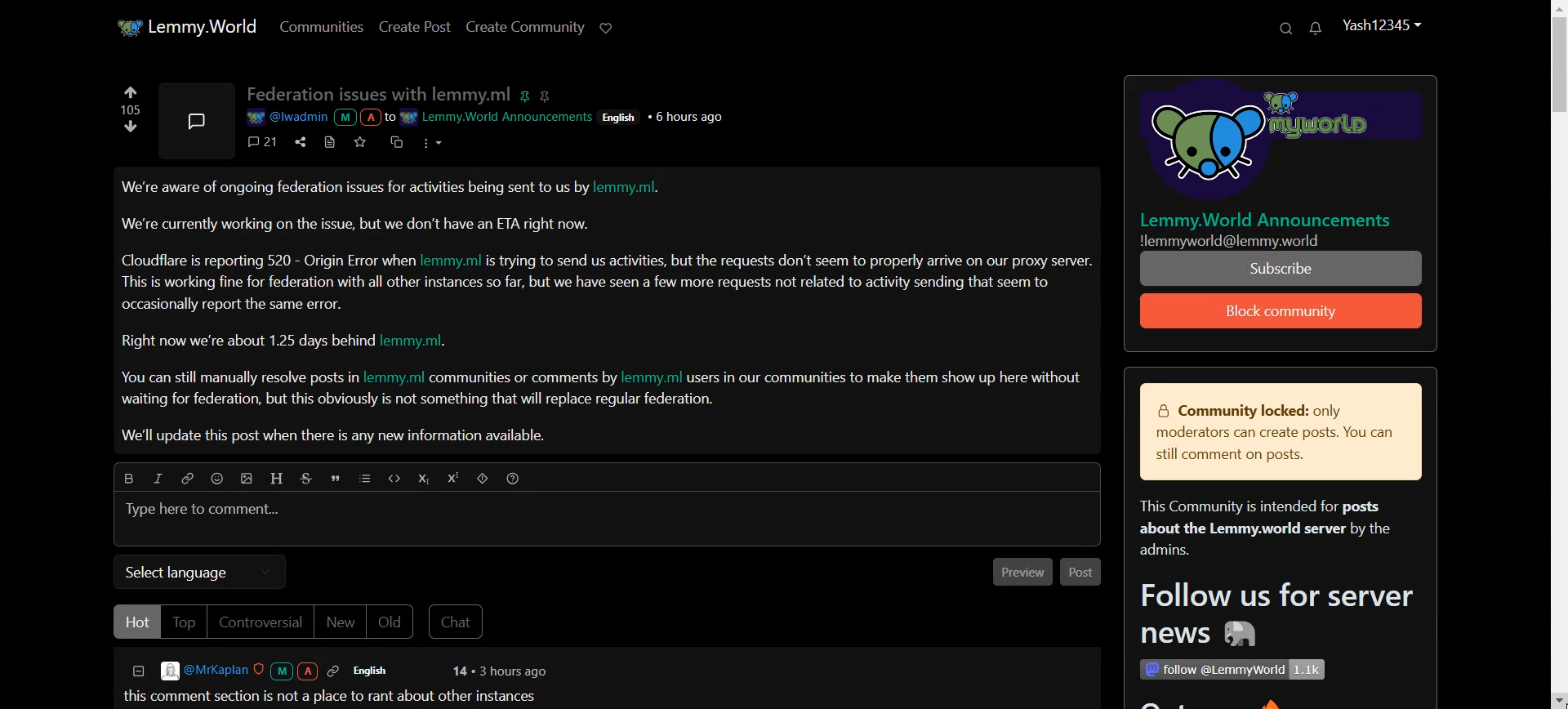 Image resolution: width=1568 pixels, height=709 pixels. Describe the element at coordinates (337, 479) in the screenshot. I see `Quote` at that location.